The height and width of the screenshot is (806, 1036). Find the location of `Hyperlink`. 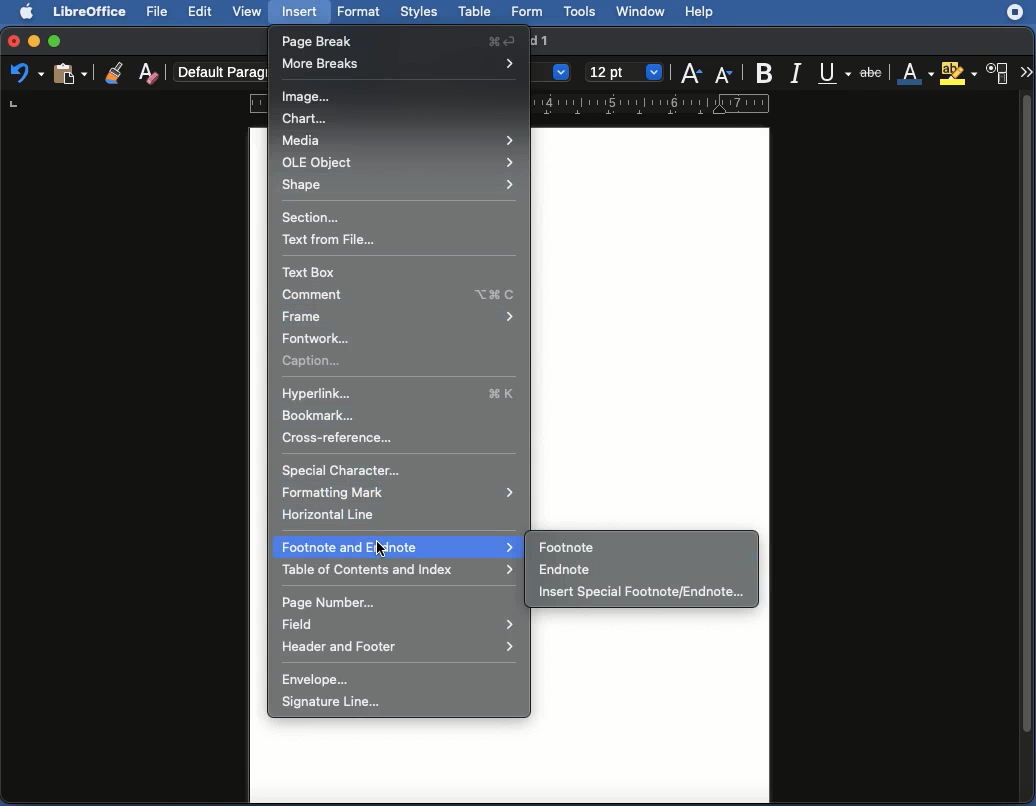

Hyperlink is located at coordinates (399, 393).